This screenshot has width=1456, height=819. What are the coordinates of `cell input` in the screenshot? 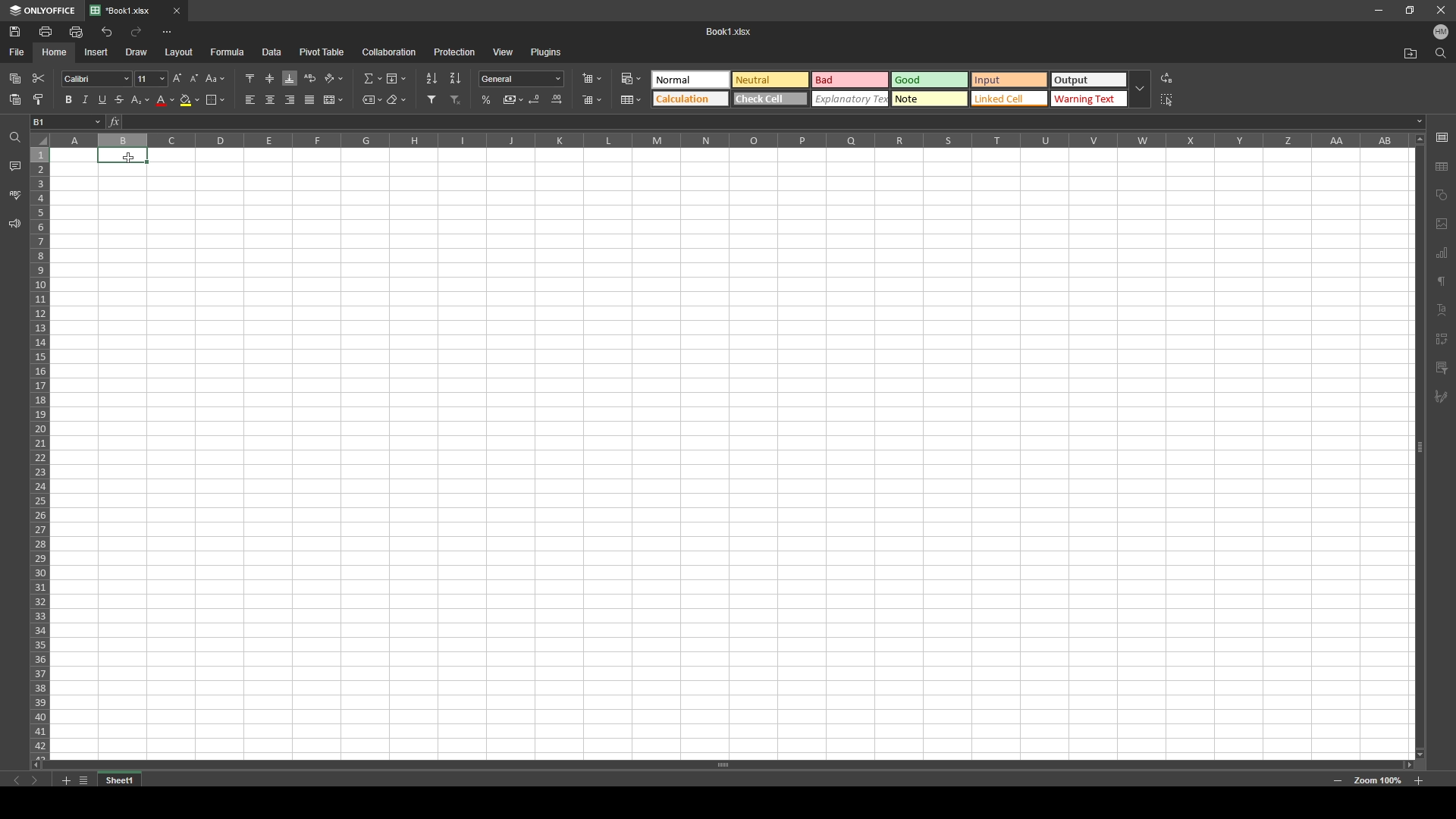 It's located at (767, 122).